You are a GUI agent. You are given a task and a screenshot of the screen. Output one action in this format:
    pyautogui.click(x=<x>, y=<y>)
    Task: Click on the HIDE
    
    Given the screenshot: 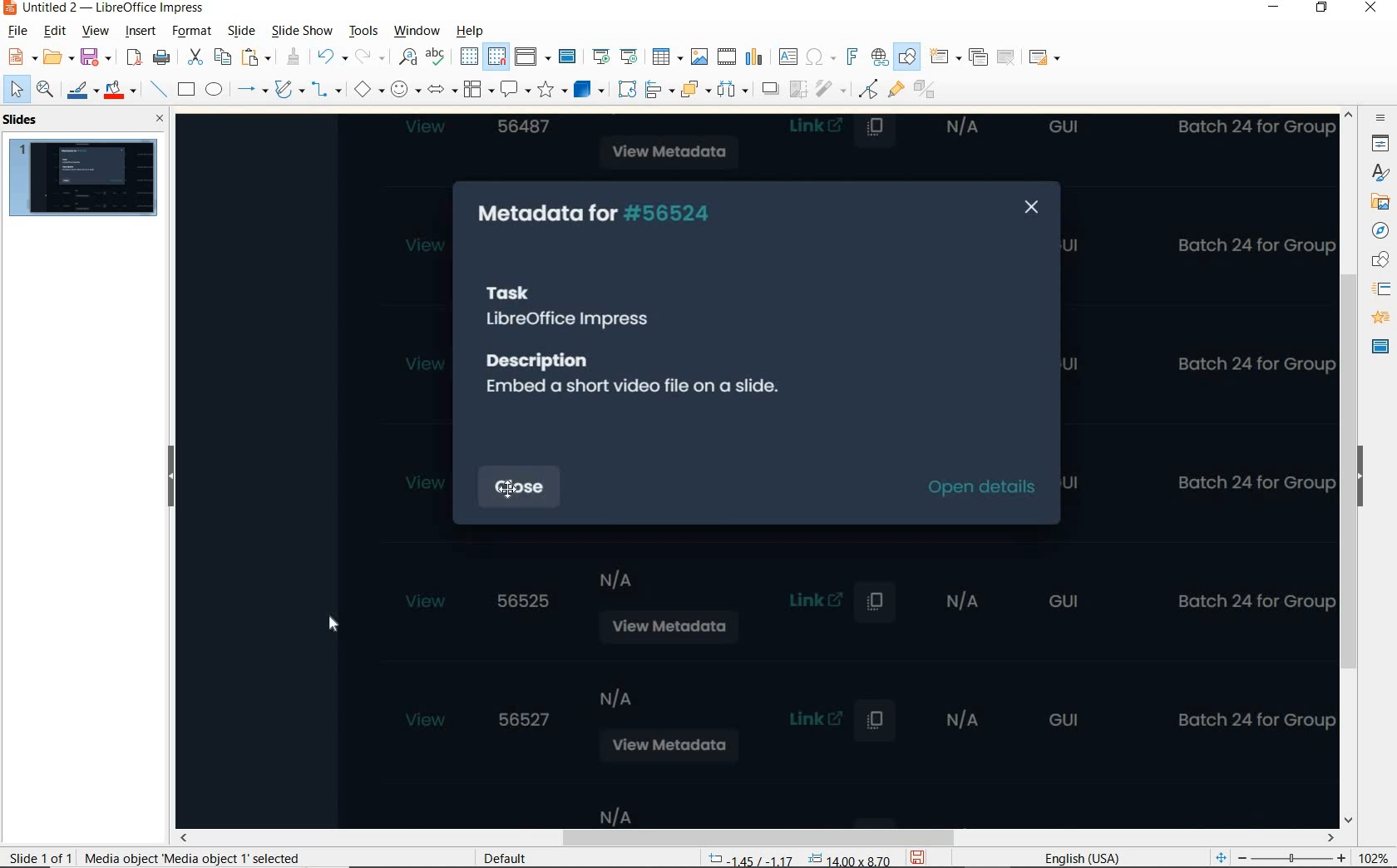 What is the action you would take?
    pyautogui.click(x=171, y=476)
    